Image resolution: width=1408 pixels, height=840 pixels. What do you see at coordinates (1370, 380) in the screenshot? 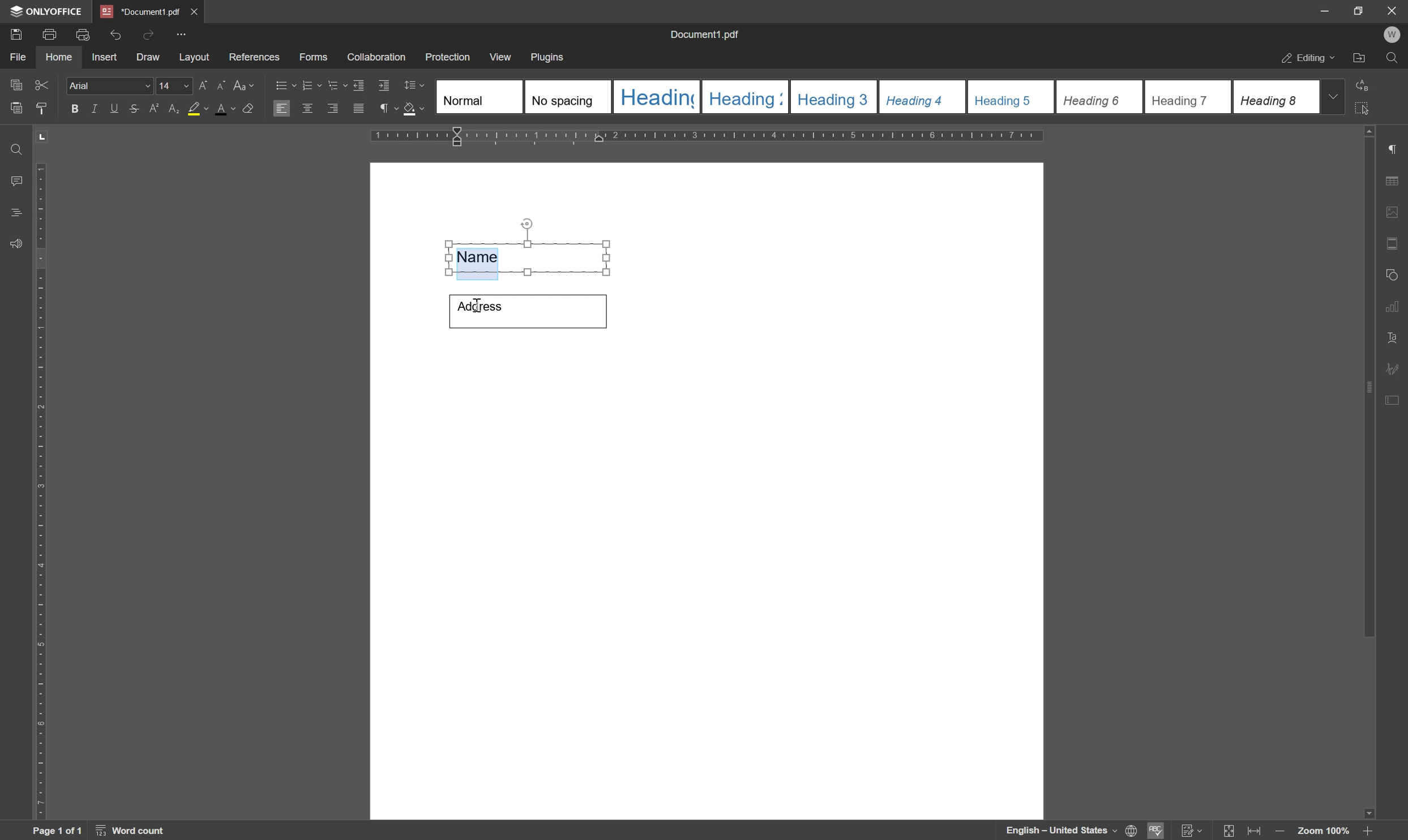
I see `scroll bar` at bounding box center [1370, 380].